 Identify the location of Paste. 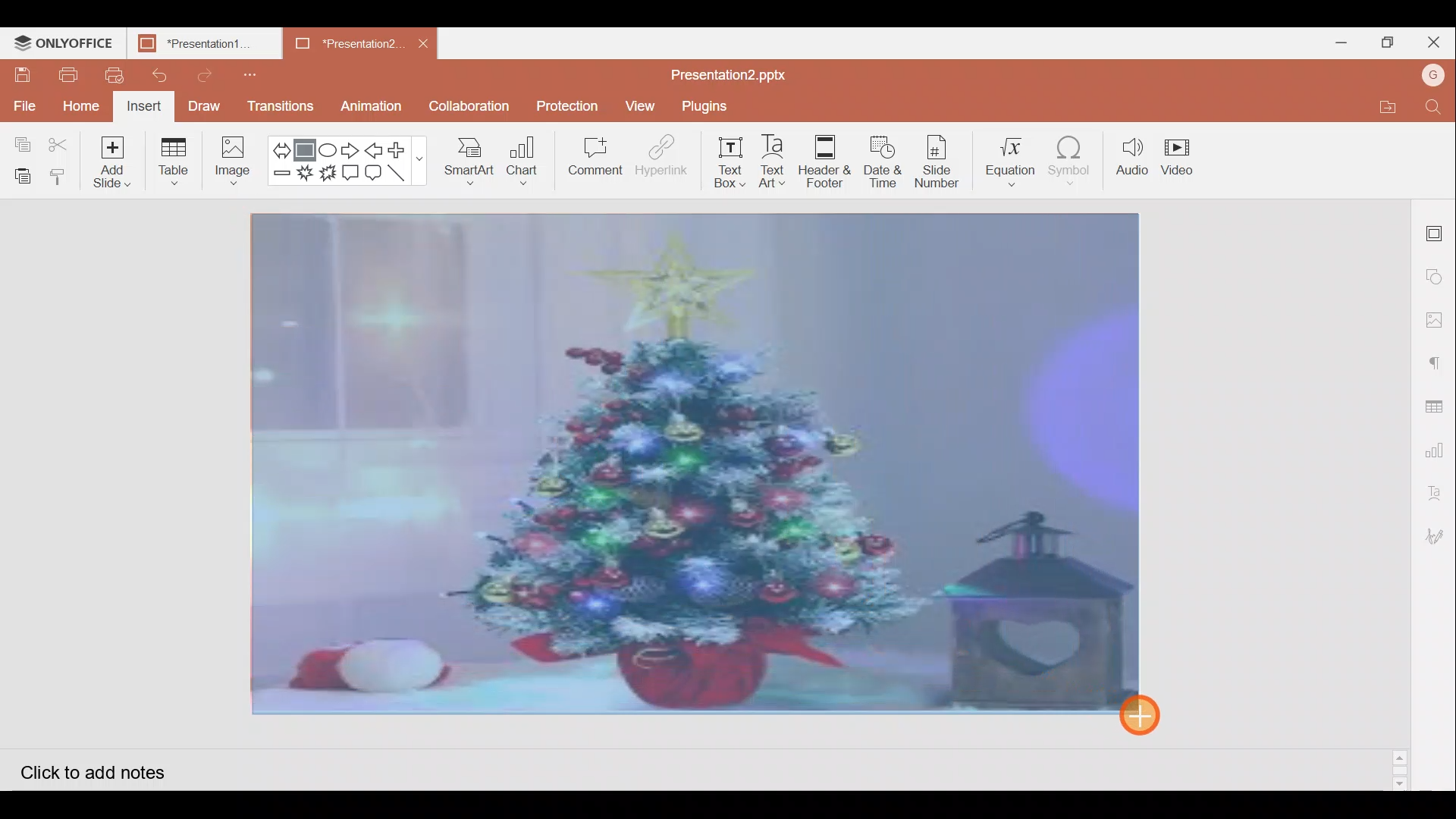
(23, 175).